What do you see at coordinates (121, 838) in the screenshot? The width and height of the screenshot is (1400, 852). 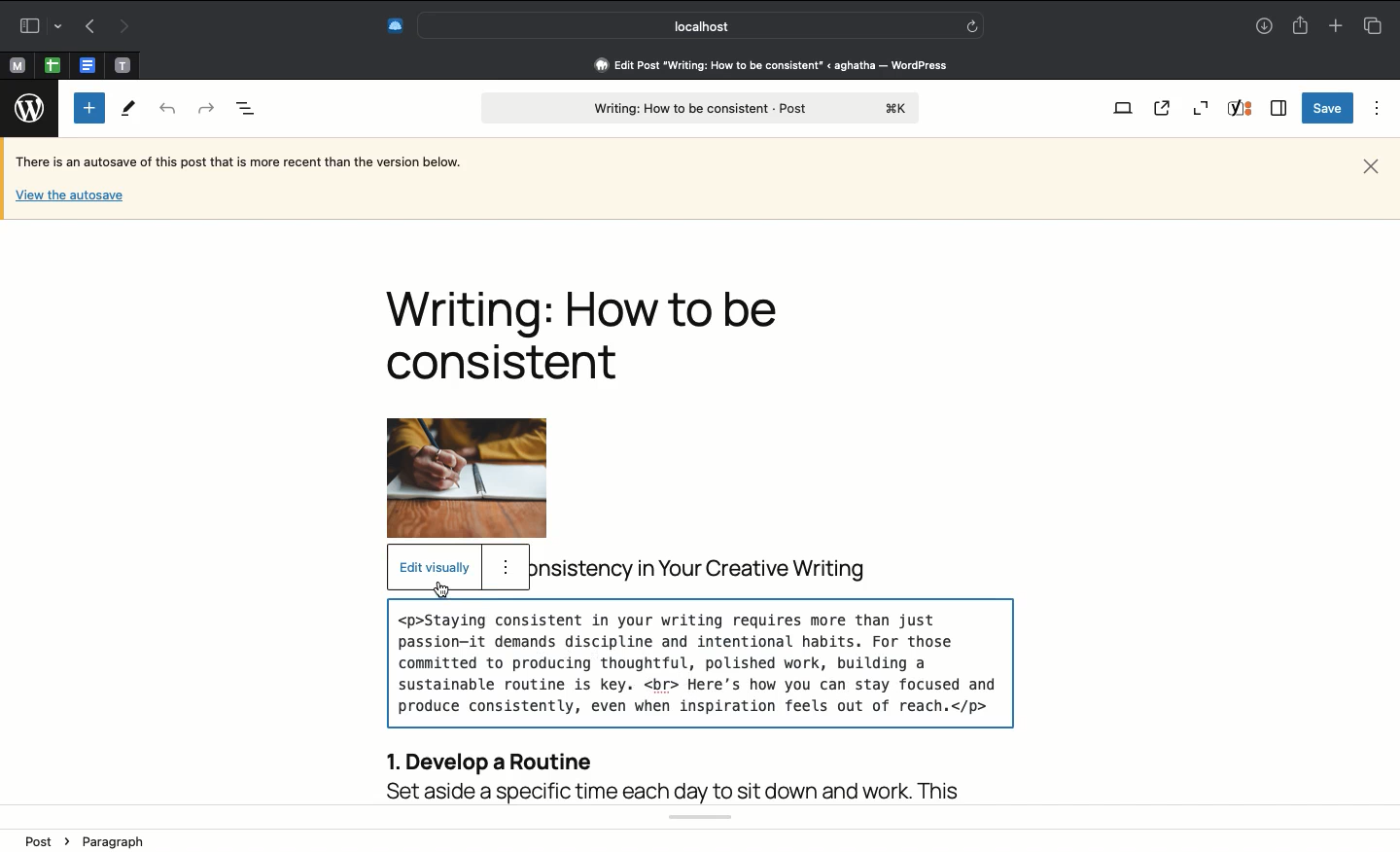 I see `paragraph` at bounding box center [121, 838].